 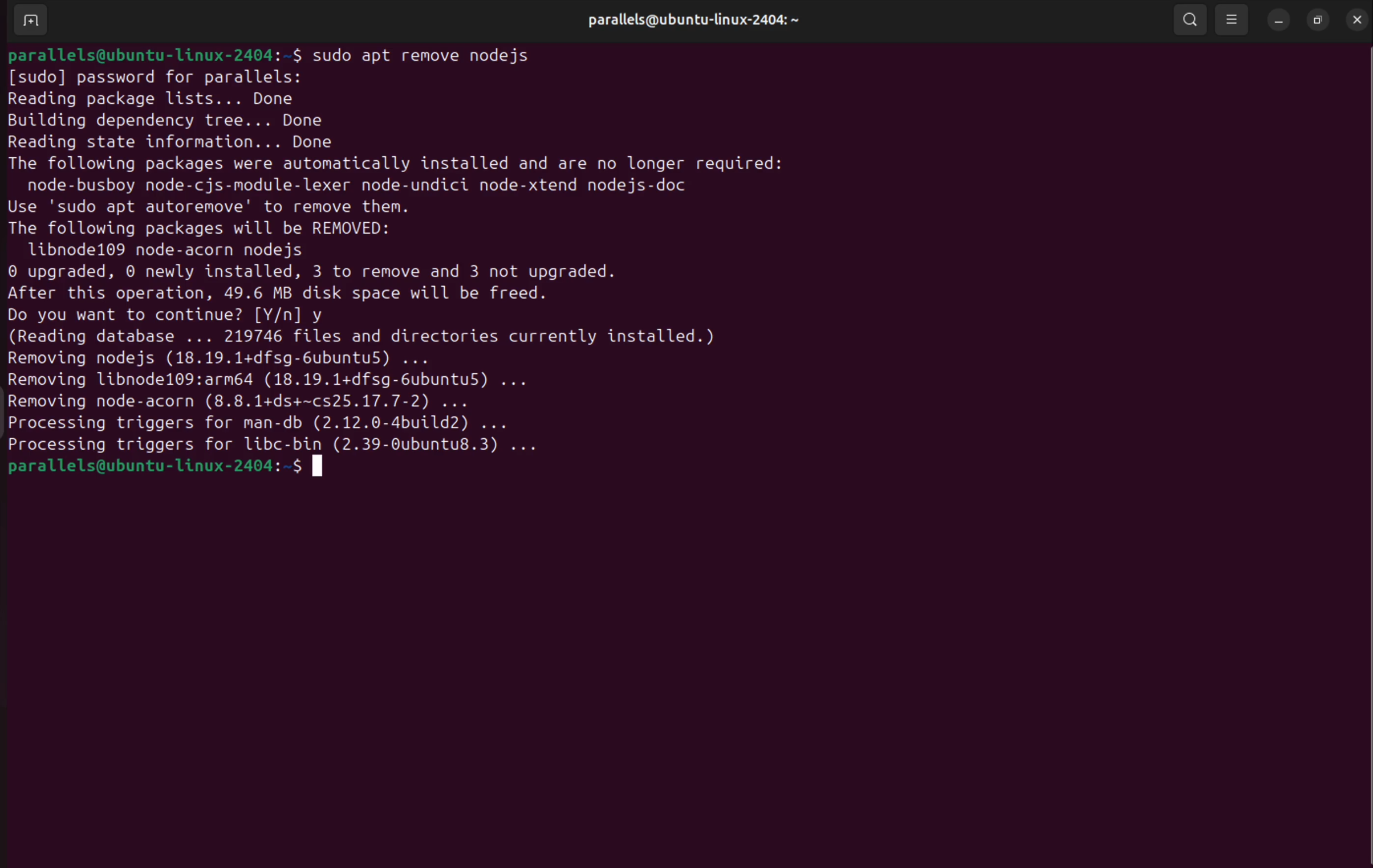 What do you see at coordinates (155, 78) in the screenshot?
I see `[sudo] password for parallels:` at bounding box center [155, 78].